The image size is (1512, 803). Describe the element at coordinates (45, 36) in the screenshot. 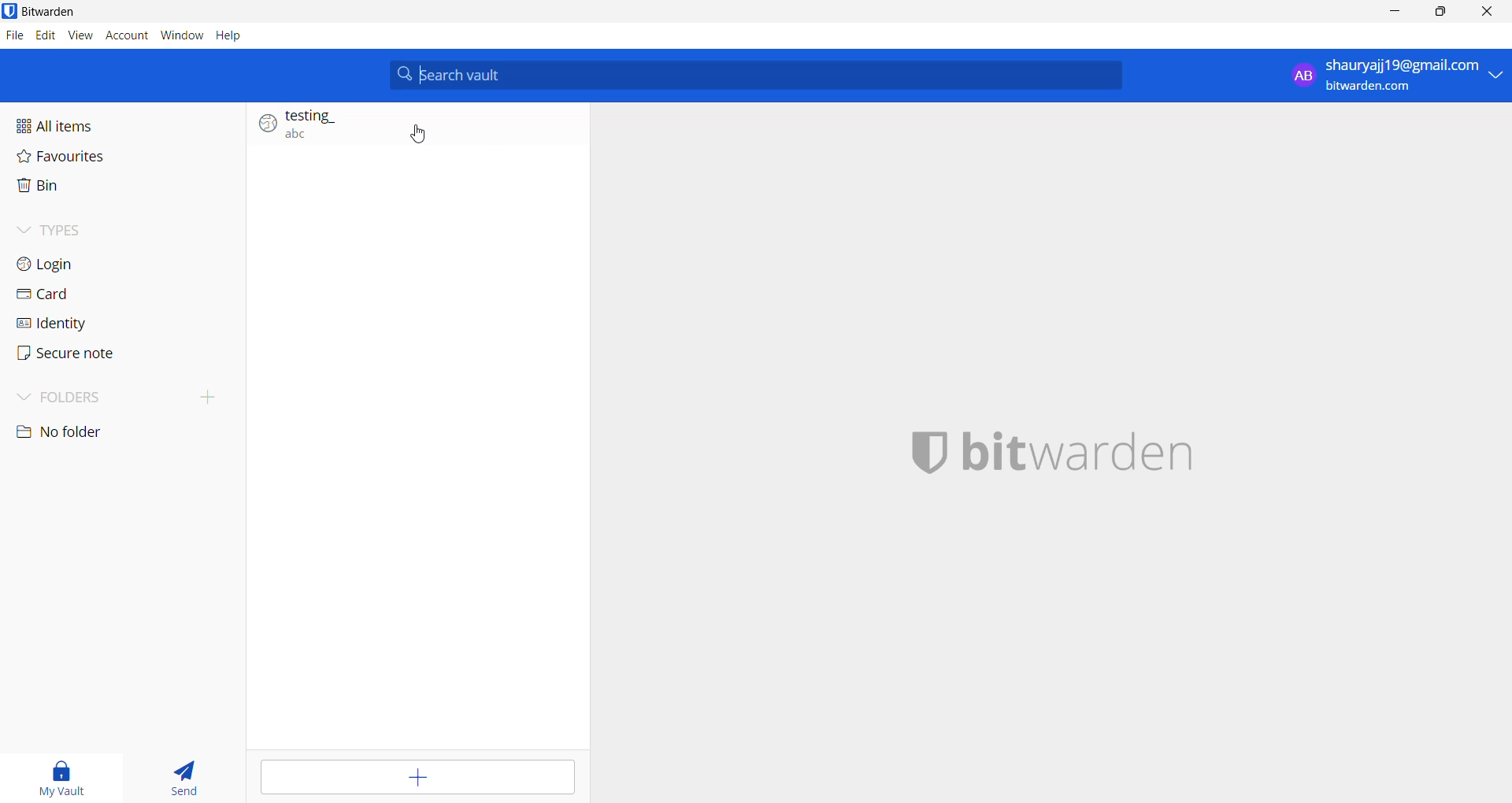

I see `Edit` at that location.